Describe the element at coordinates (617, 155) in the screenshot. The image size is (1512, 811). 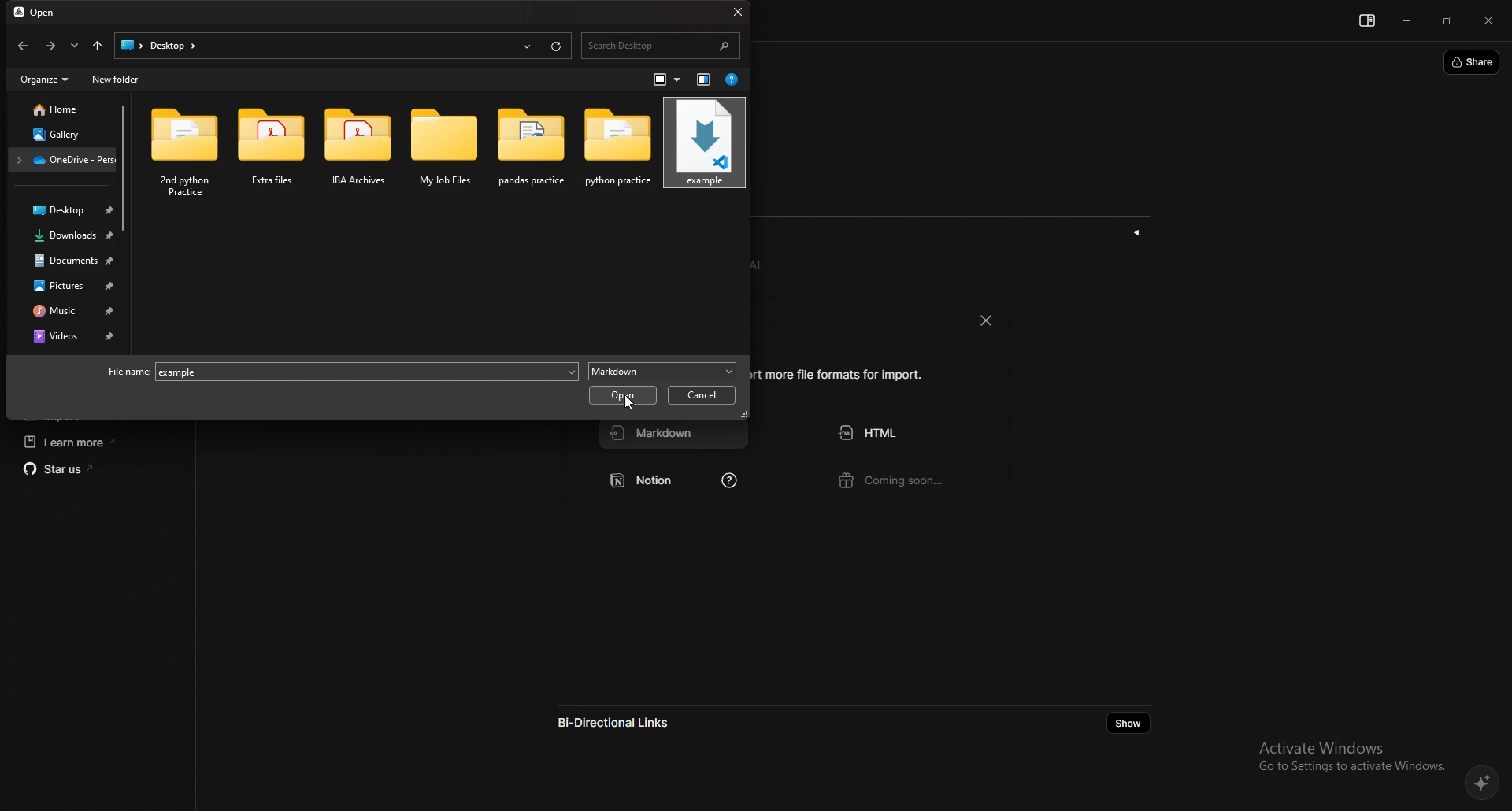
I see `folder` at that location.